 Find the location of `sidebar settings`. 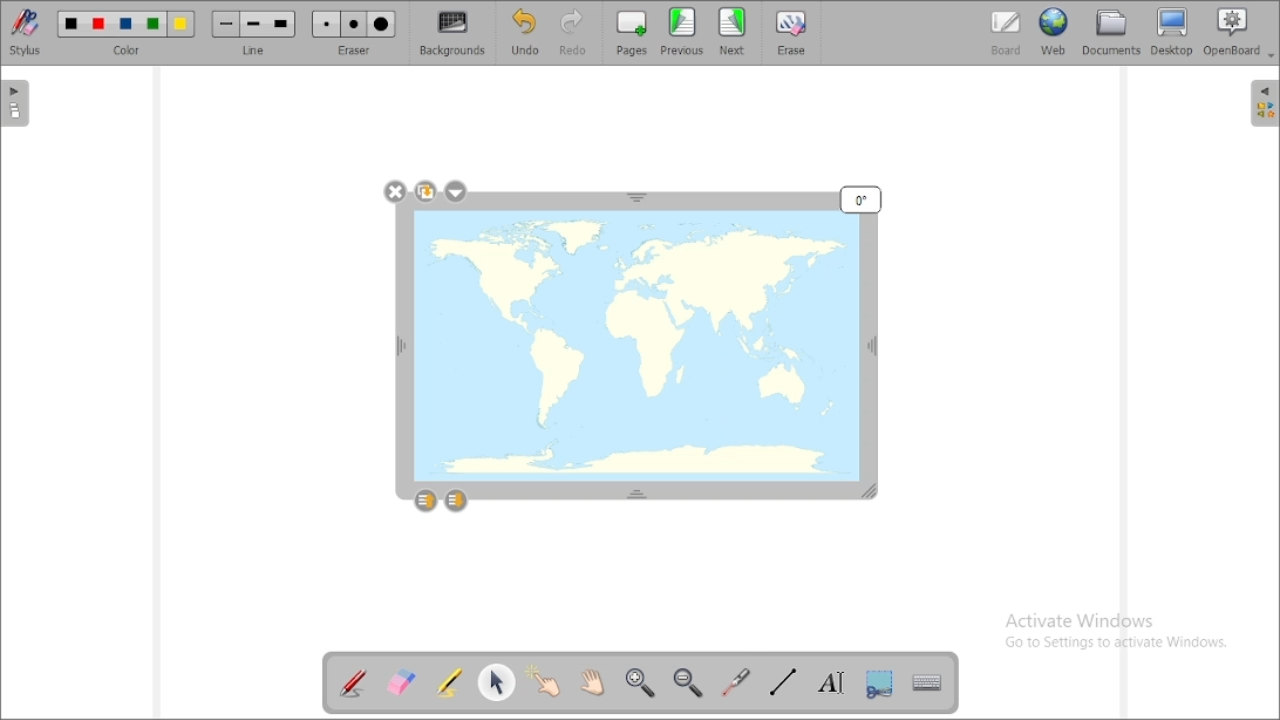

sidebar settings is located at coordinates (1262, 103).